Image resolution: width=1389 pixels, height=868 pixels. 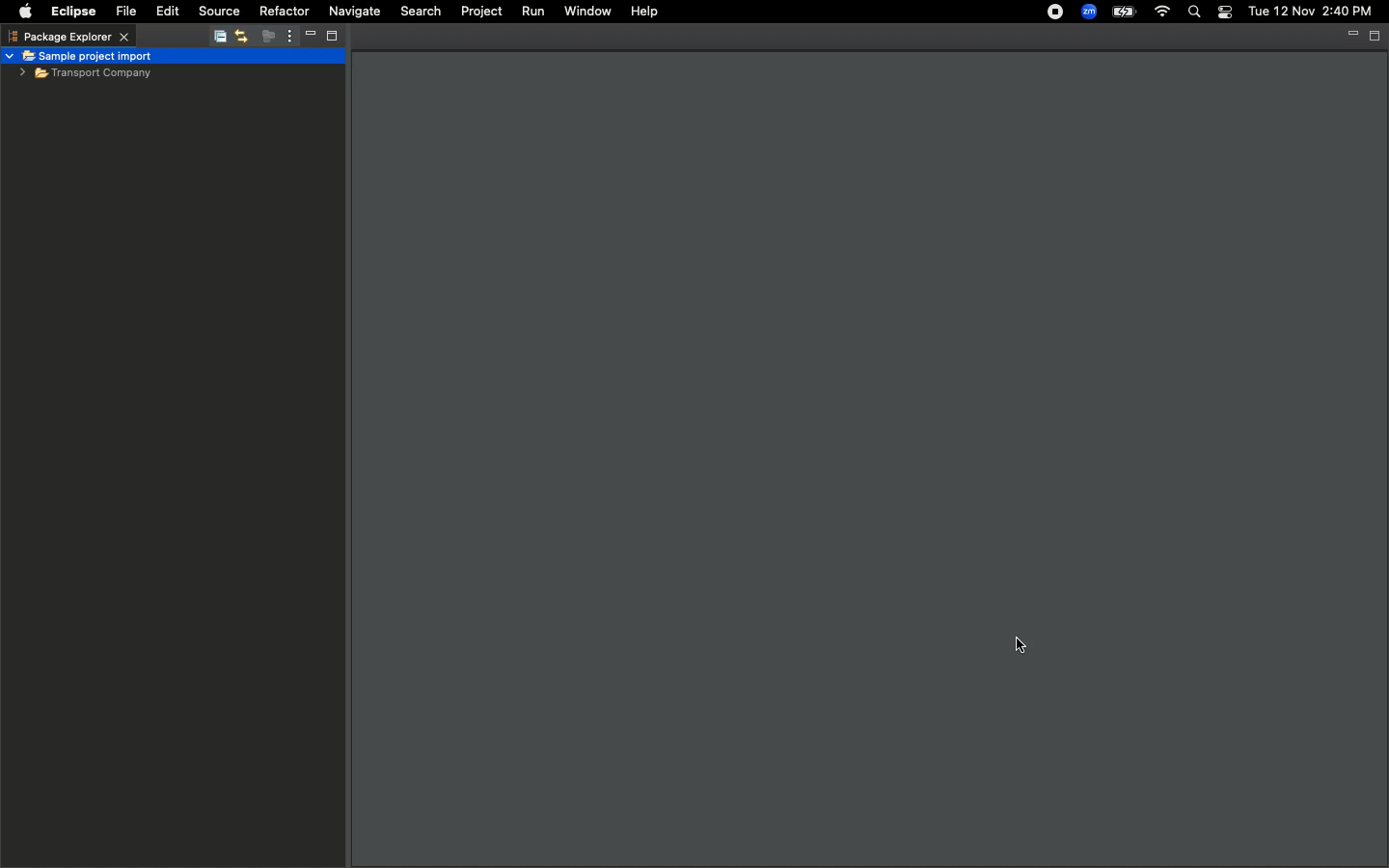 I want to click on Window, so click(x=587, y=12).